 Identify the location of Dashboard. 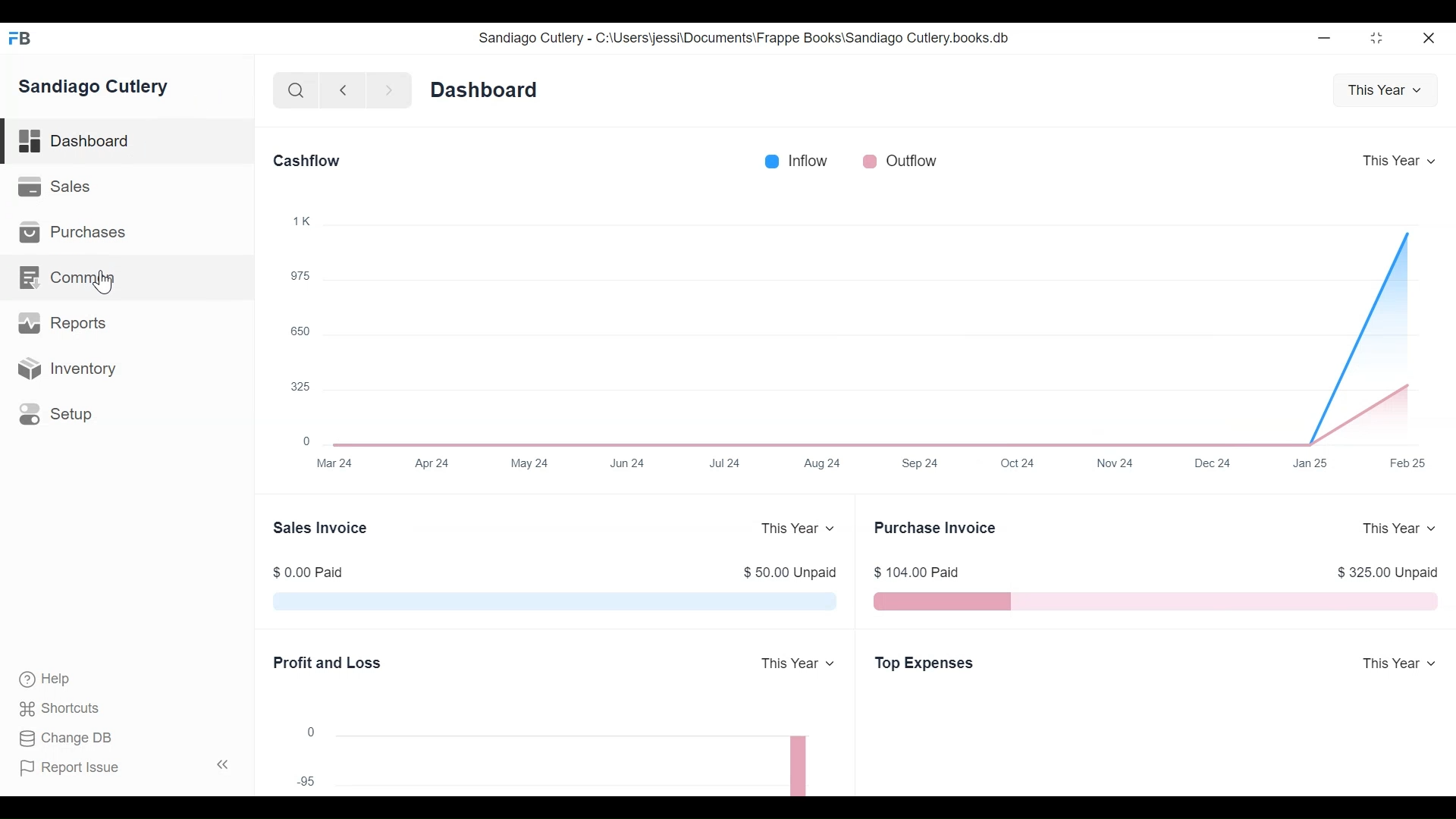
(130, 142).